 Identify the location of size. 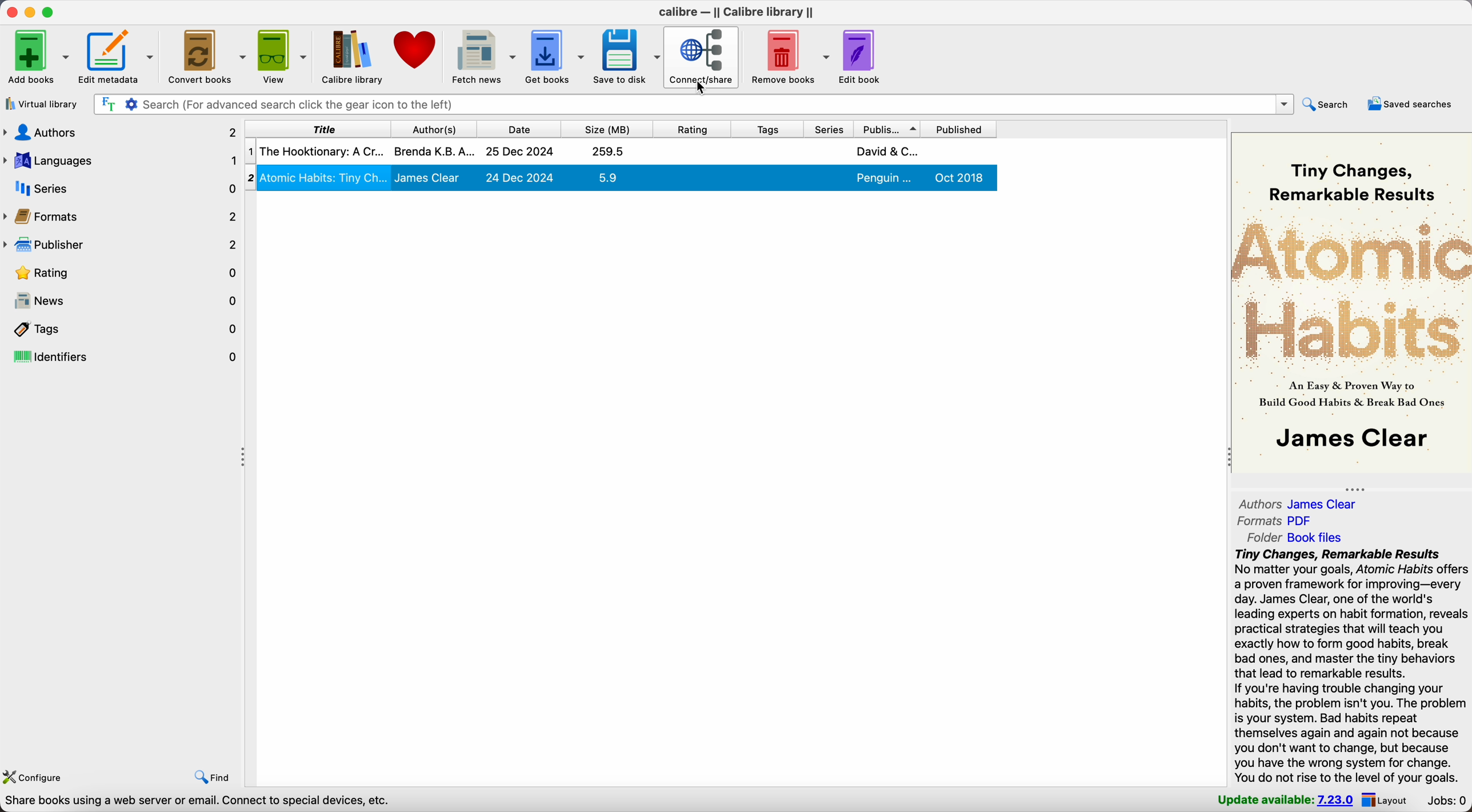
(606, 127).